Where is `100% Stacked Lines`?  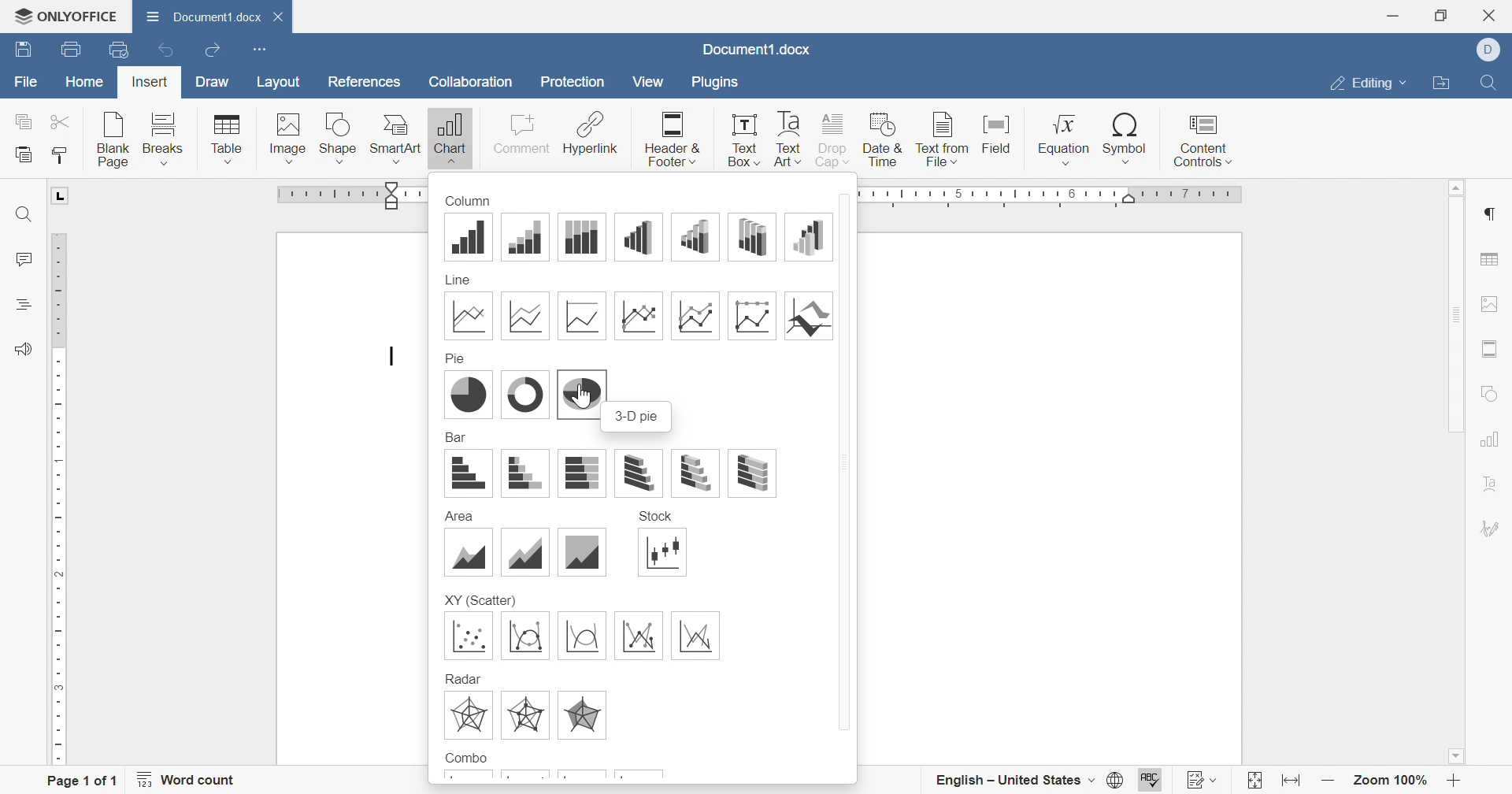
100% Stacked Lines is located at coordinates (581, 314).